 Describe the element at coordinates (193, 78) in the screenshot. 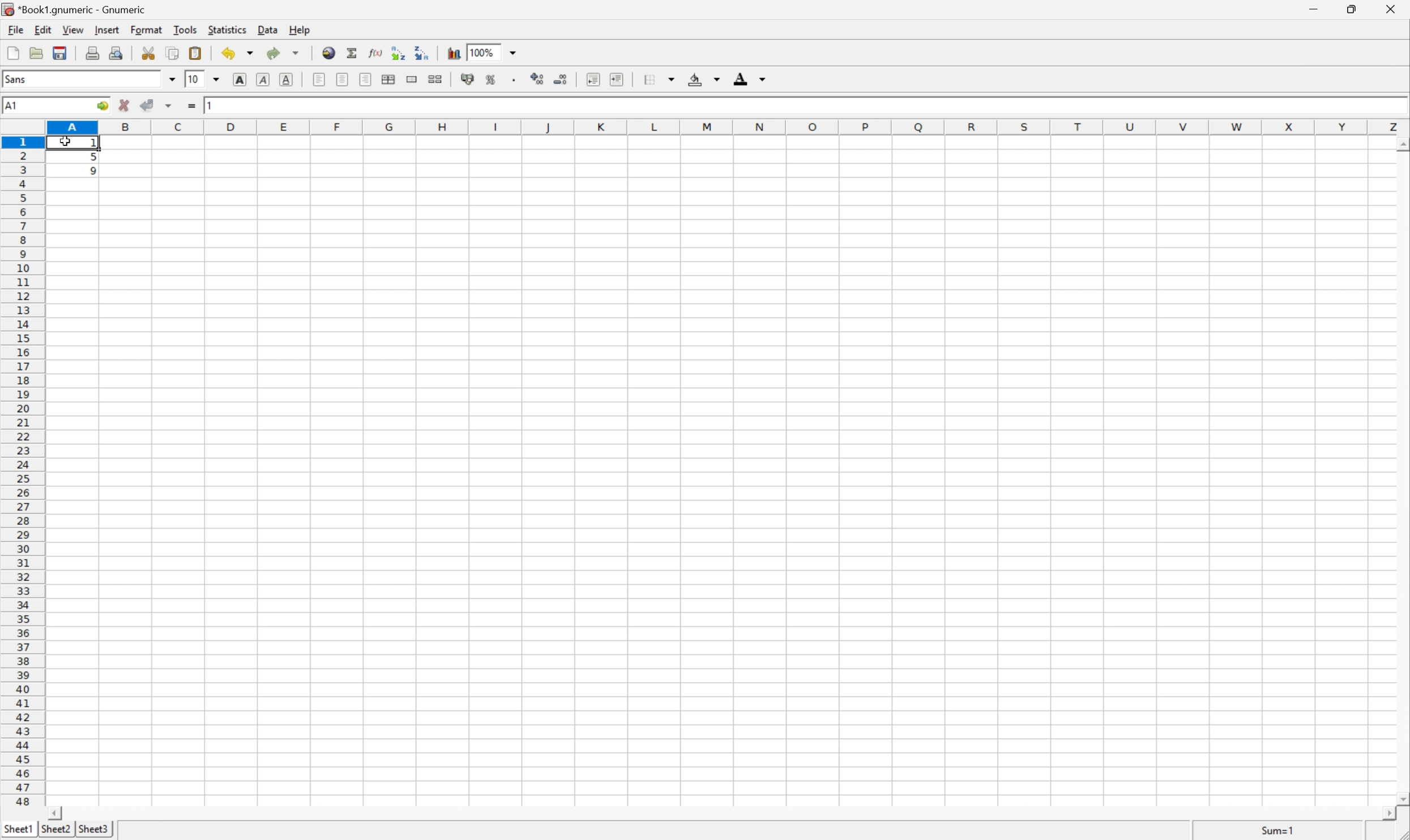

I see `10` at that location.